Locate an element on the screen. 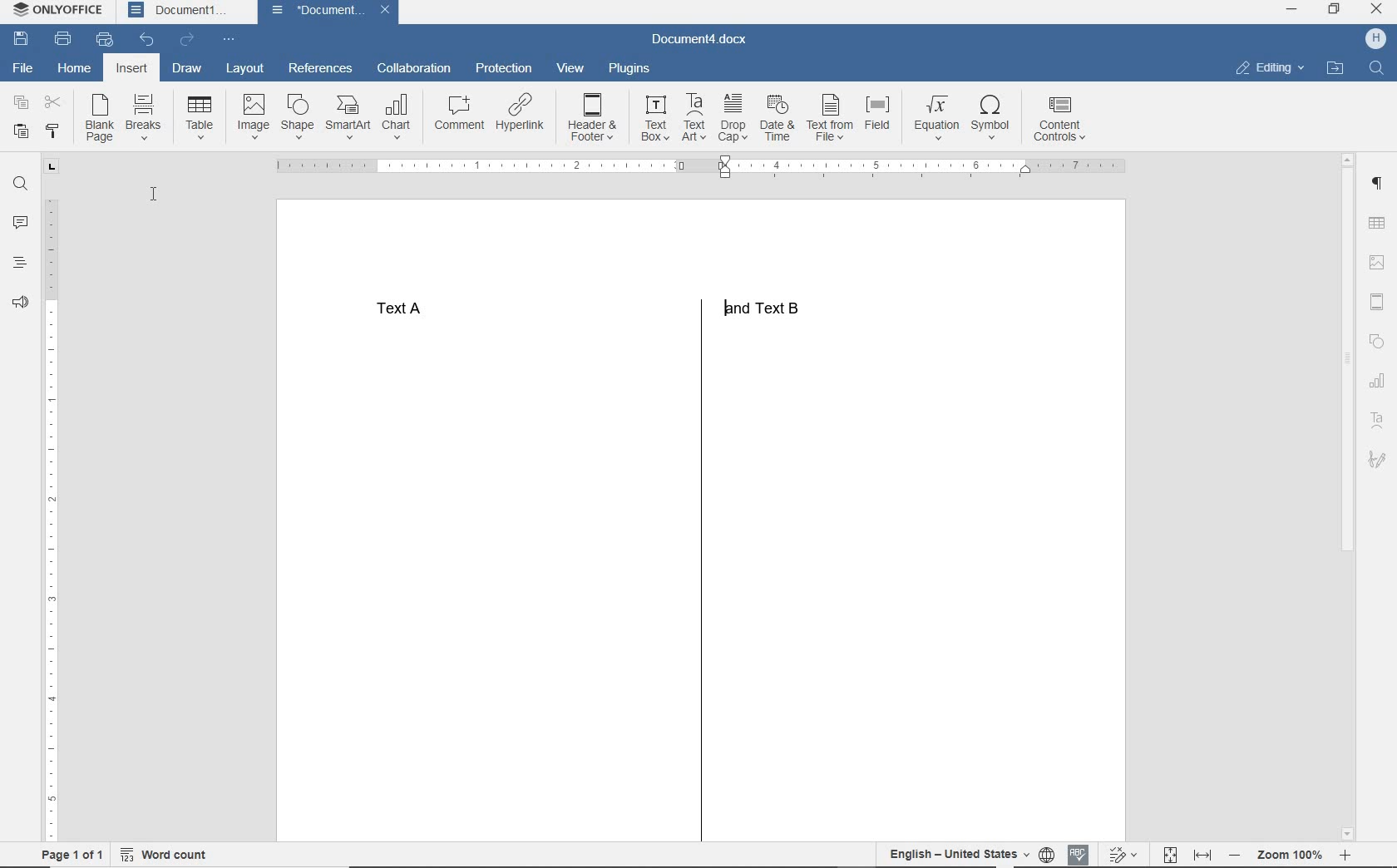  REFERENCES is located at coordinates (321, 70).